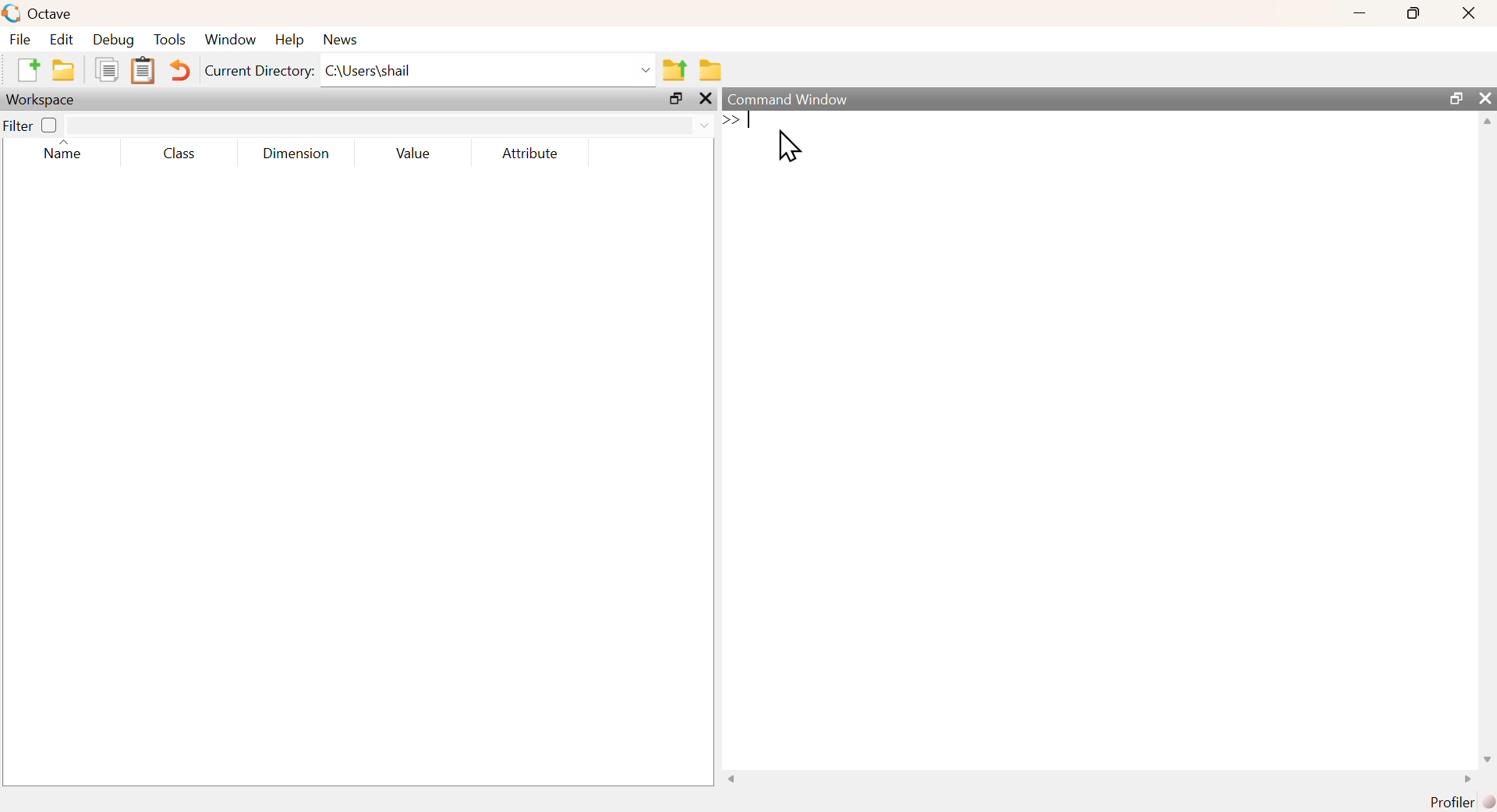  Describe the element at coordinates (31, 69) in the screenshot. I see `New Script` at that location.